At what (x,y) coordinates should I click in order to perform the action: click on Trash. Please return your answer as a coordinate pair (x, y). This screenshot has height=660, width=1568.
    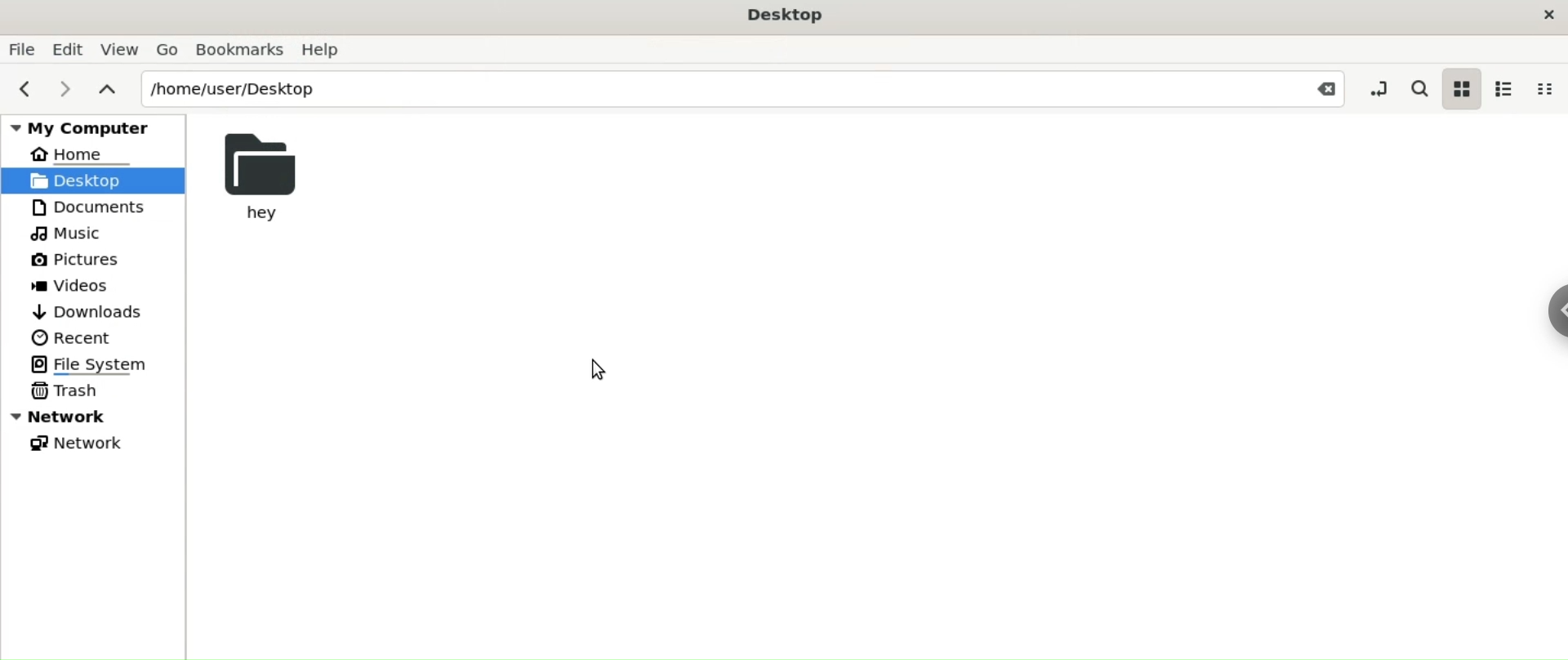
    Looking at the image, I should click on (65, 390).